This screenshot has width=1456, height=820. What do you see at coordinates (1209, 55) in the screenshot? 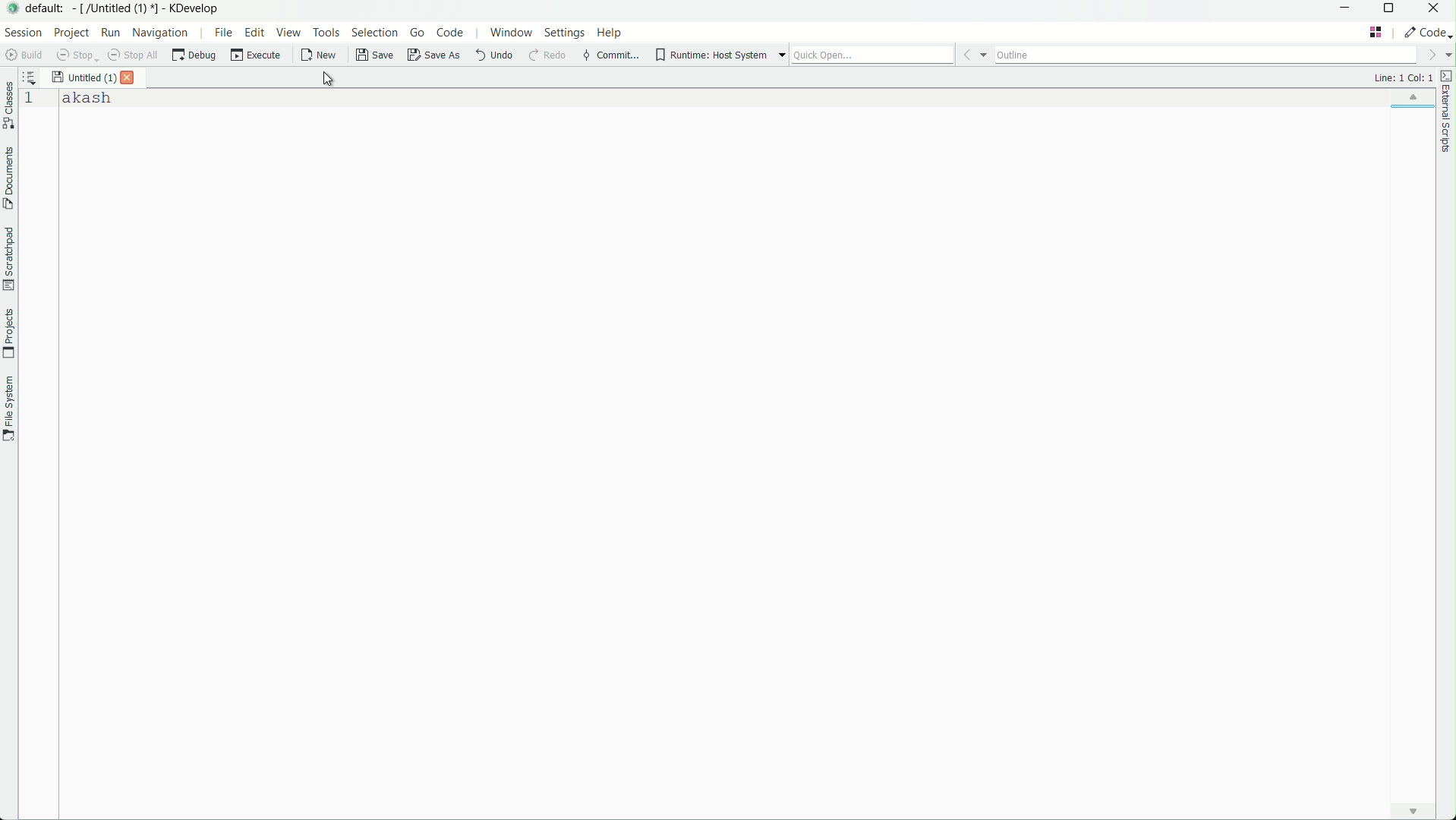
I see `outline` at bounding box center [1209, 55].